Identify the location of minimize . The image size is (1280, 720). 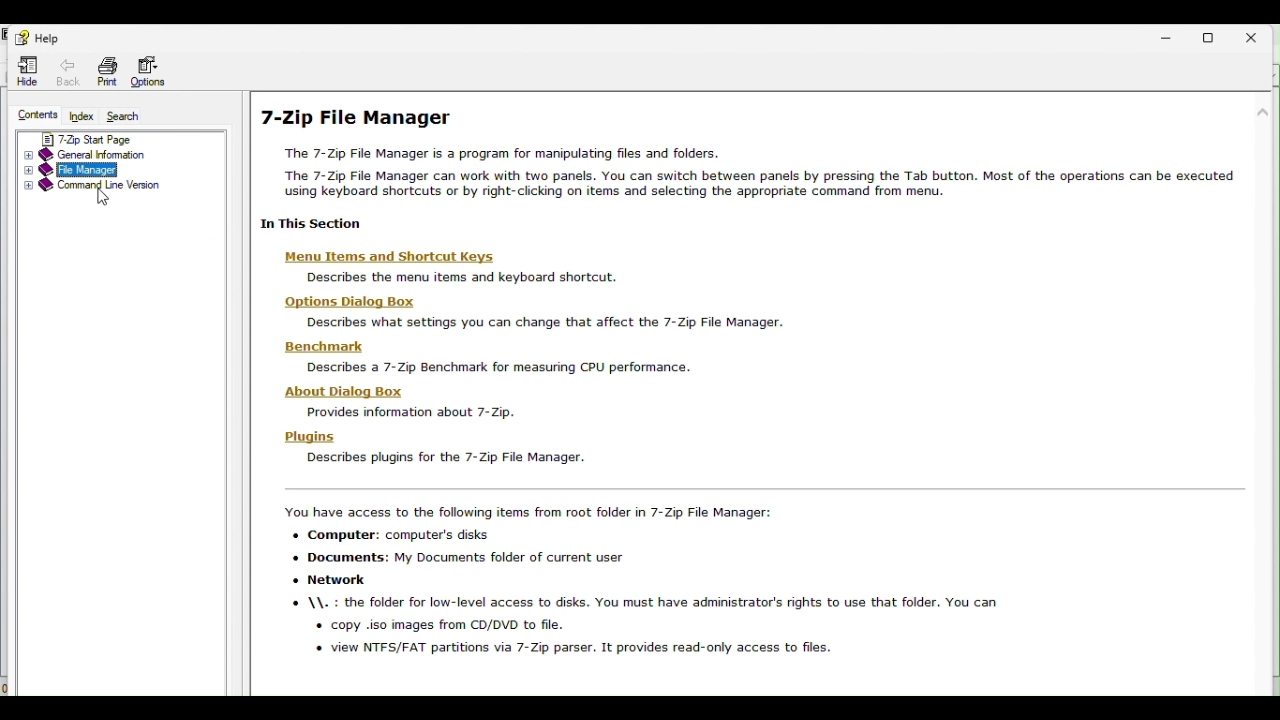
(1169, 36).